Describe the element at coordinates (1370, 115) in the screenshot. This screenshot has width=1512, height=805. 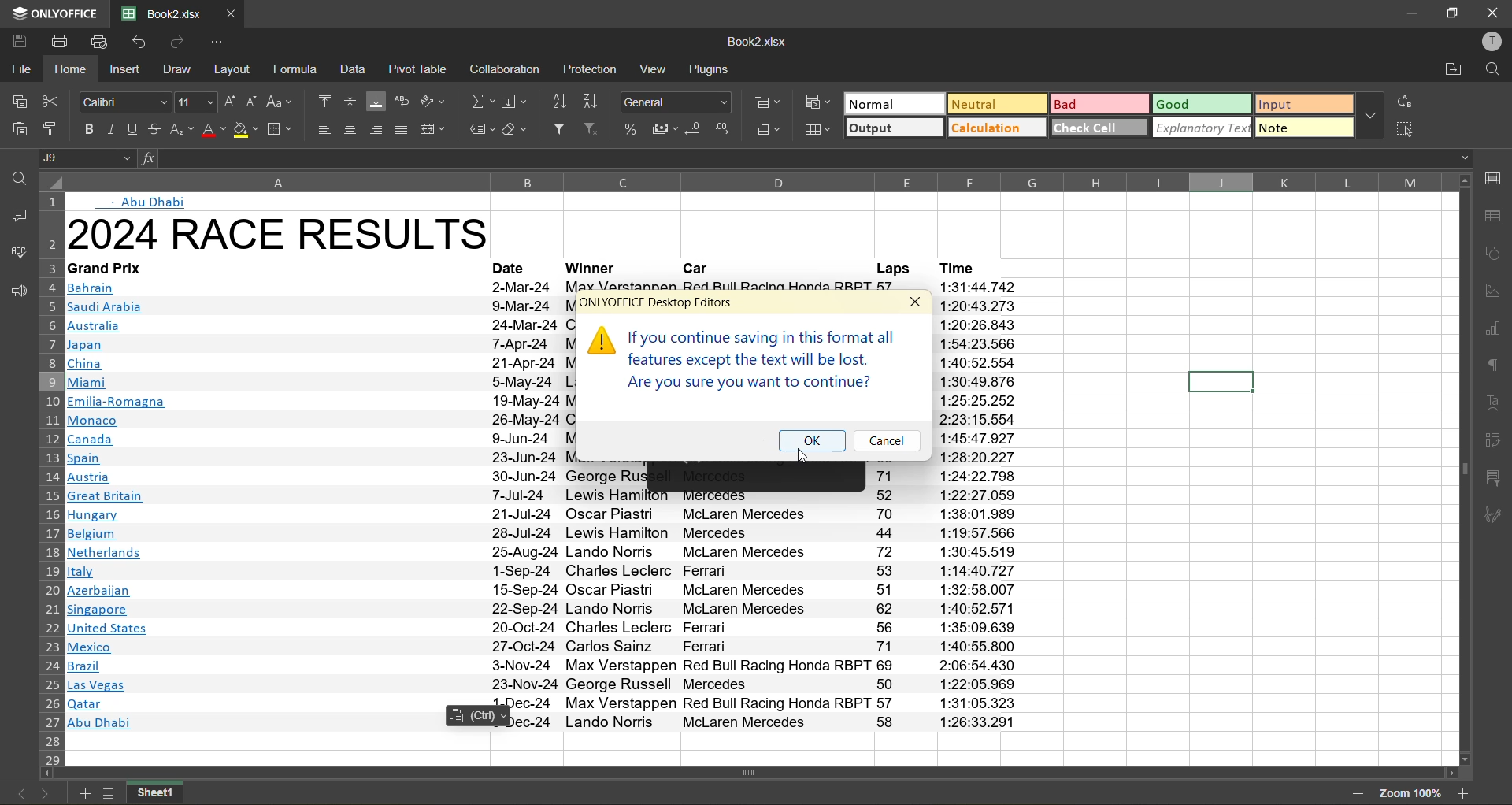
I see `more options` at that location.